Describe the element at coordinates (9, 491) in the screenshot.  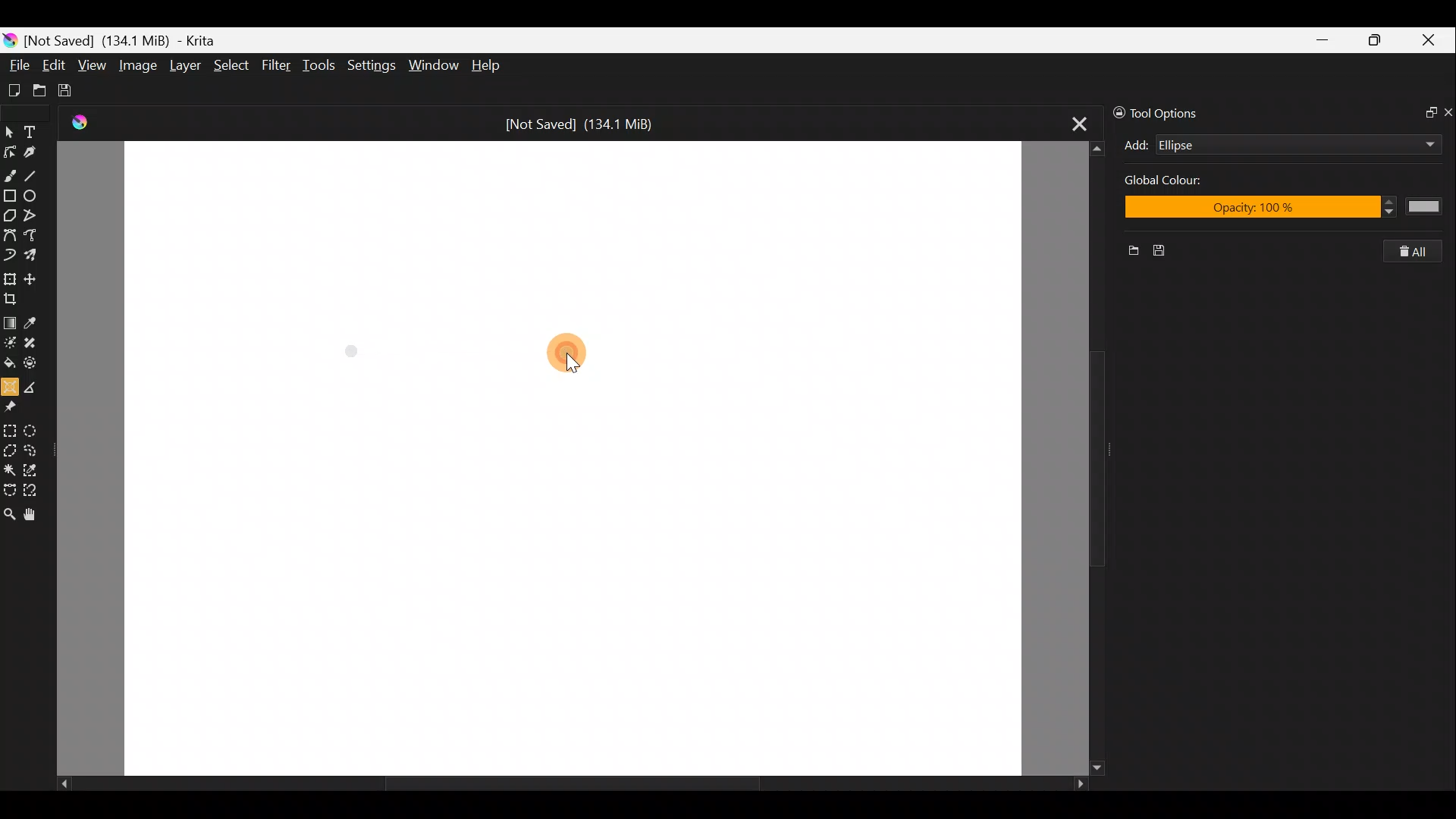
I see `Bezier curve selection tool` at that location.